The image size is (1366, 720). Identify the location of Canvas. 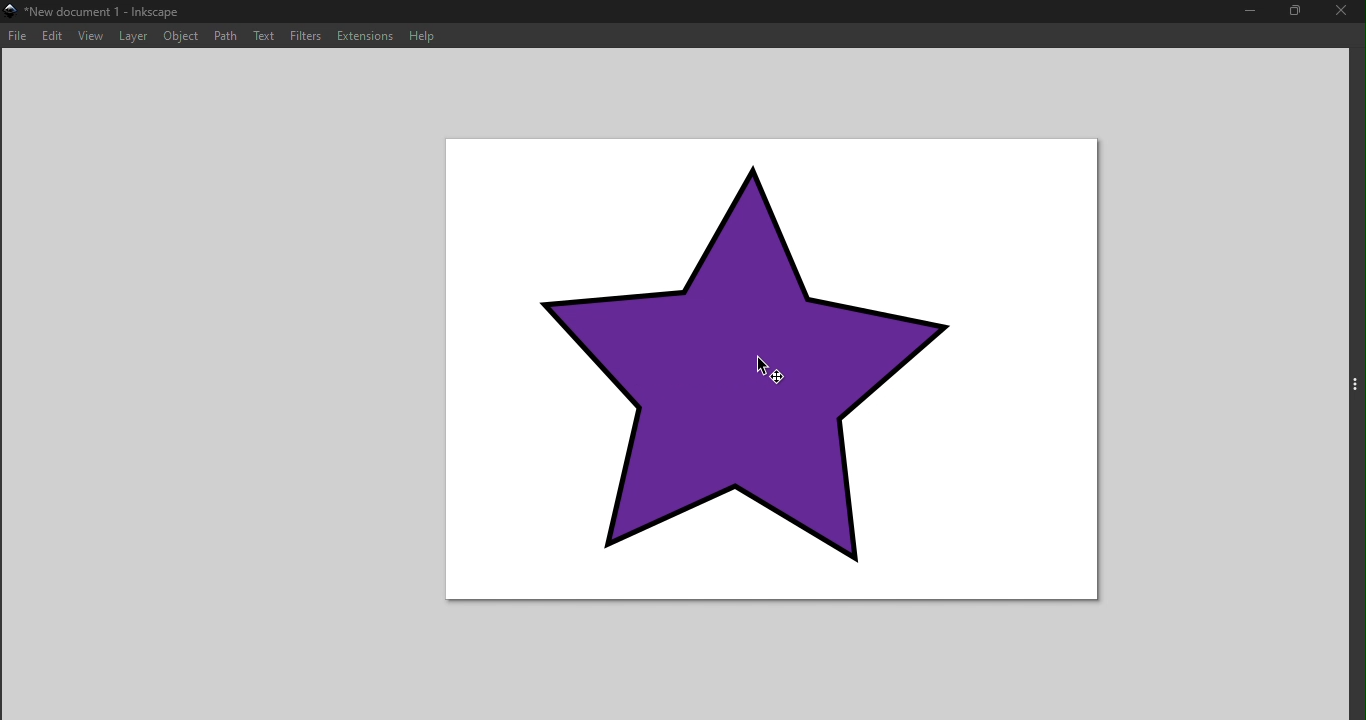
(775, 371).